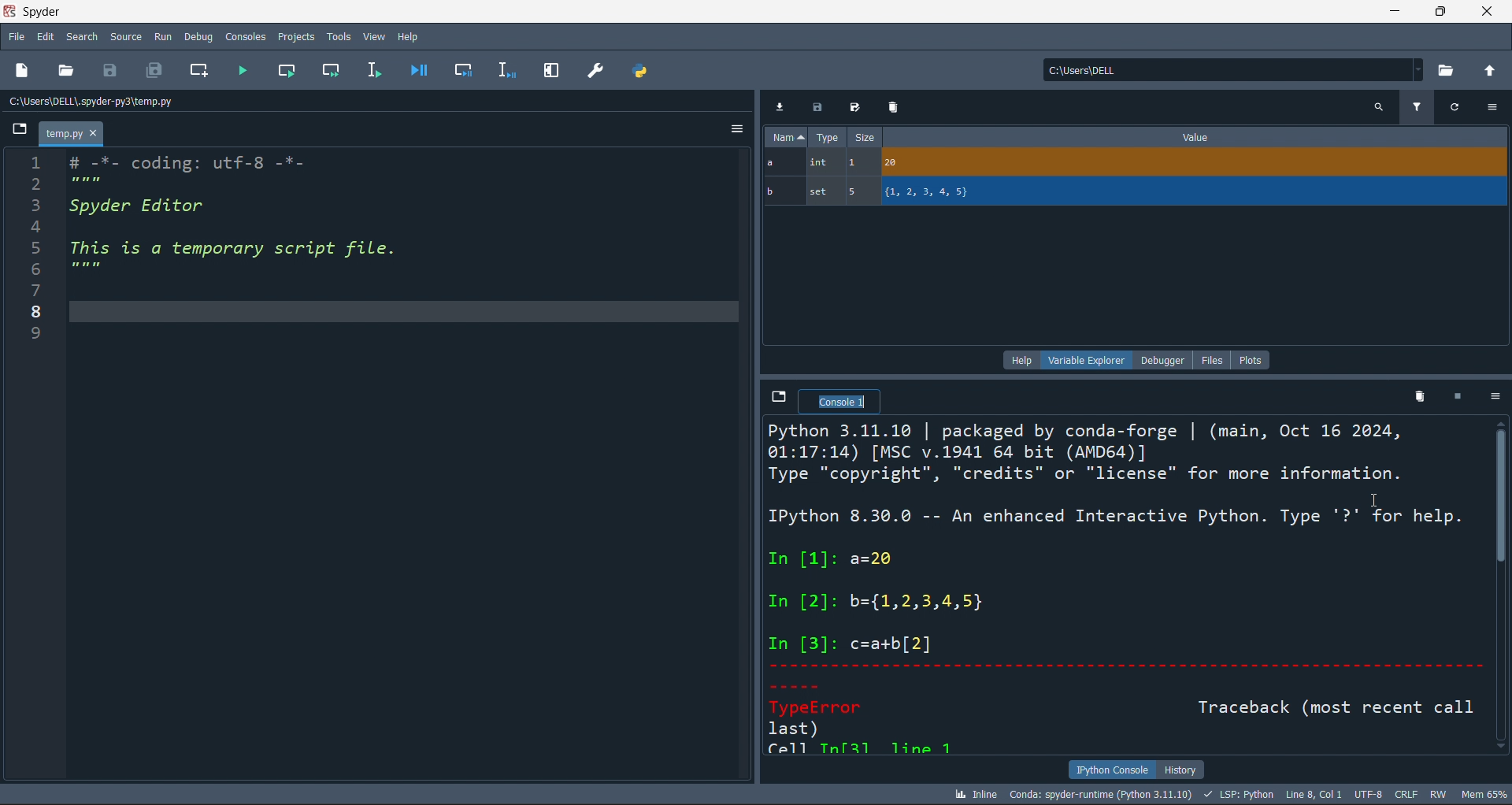  Describe the element at coordinates (404, 466) in the screenshot. I see `editor pane` at that location.